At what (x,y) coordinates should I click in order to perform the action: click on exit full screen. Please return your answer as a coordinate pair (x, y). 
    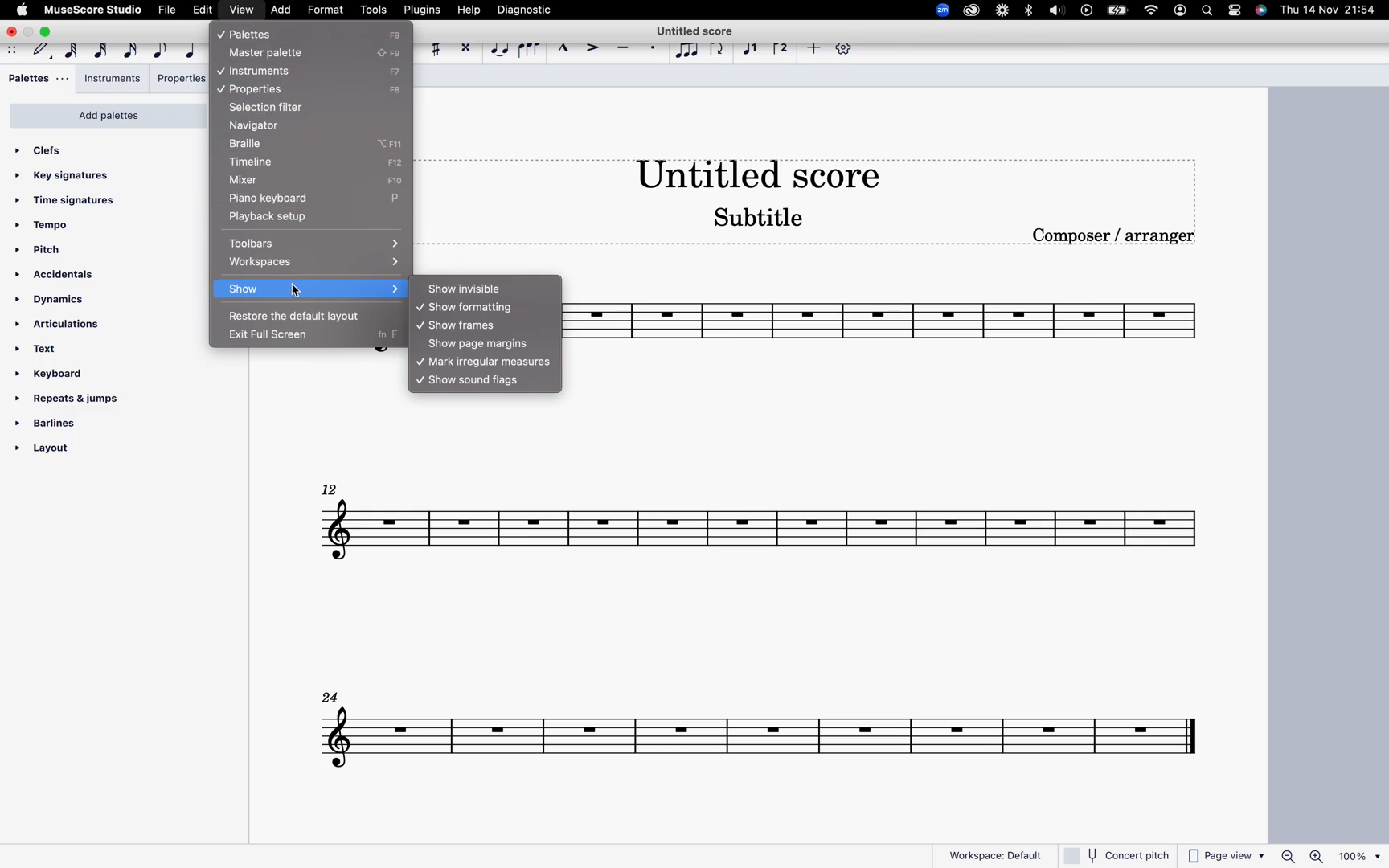
    Looking at the image, I should click on (290, 335).